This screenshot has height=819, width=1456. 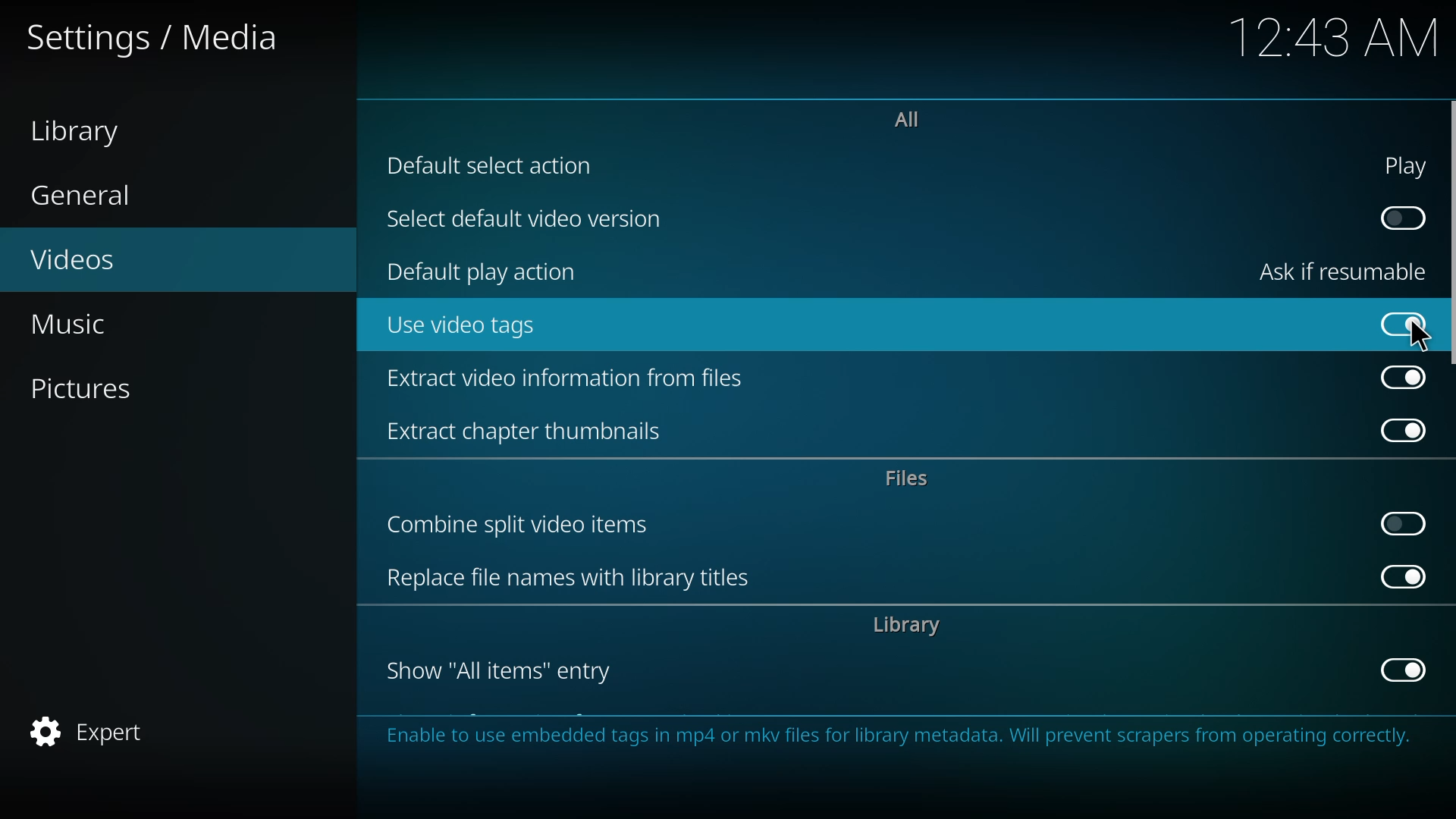 What do you see at coordinates (1336, 37) in the screenshot?
I see `time` at bounding box center [1336, 37].